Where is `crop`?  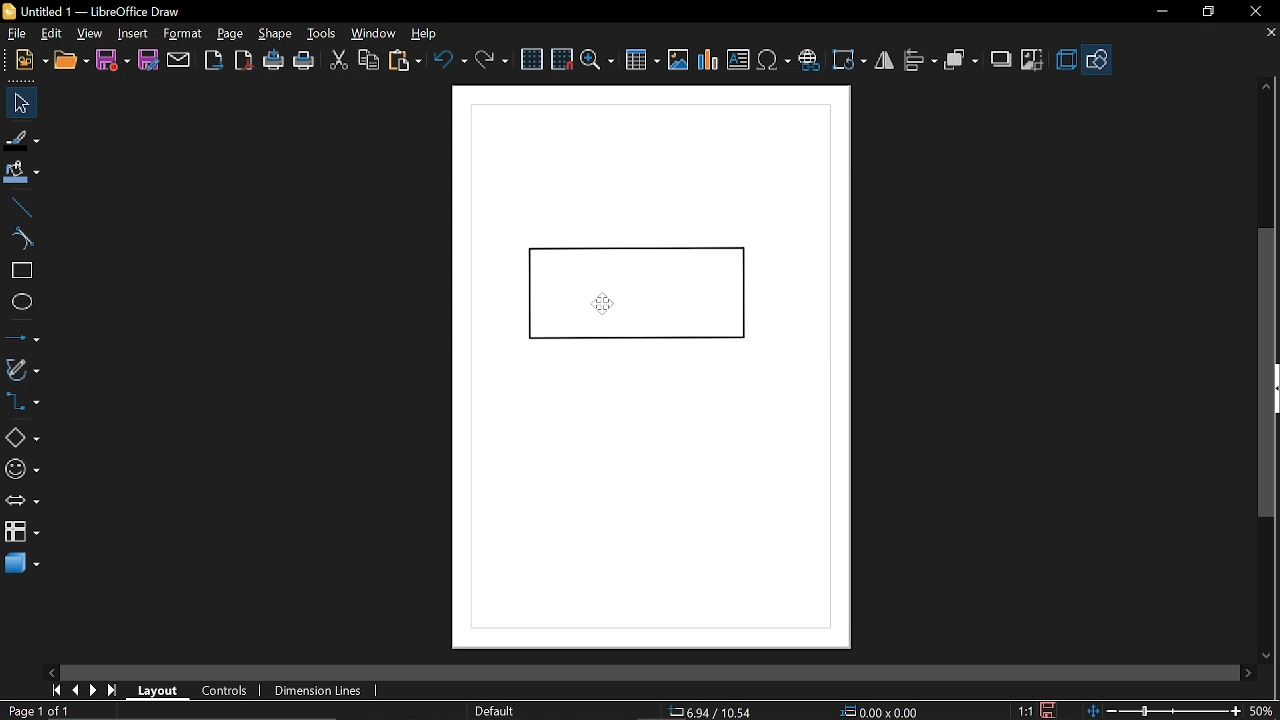 crop is located at coordinates (1033, 59).